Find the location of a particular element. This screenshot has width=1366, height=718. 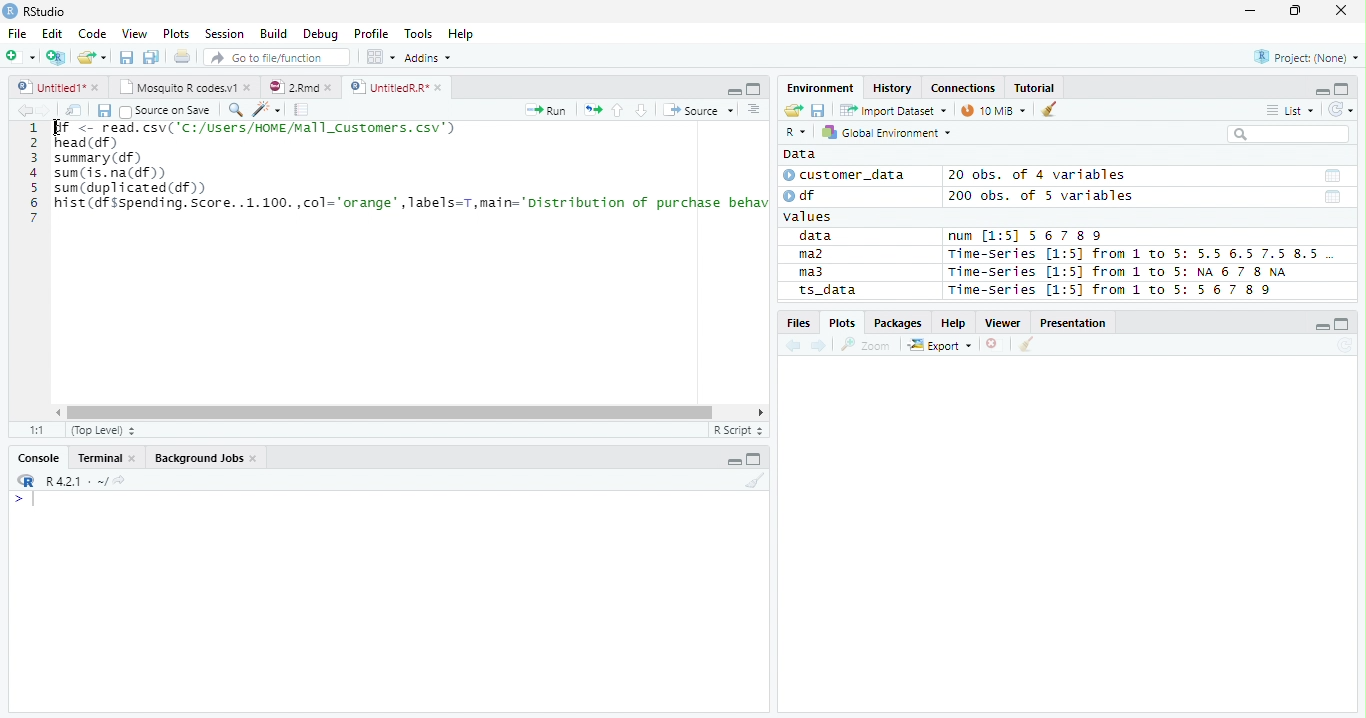

Time-Series [1:5] from 1 to 5: 56 7 8 9 is located at coordinates (1112, 290).